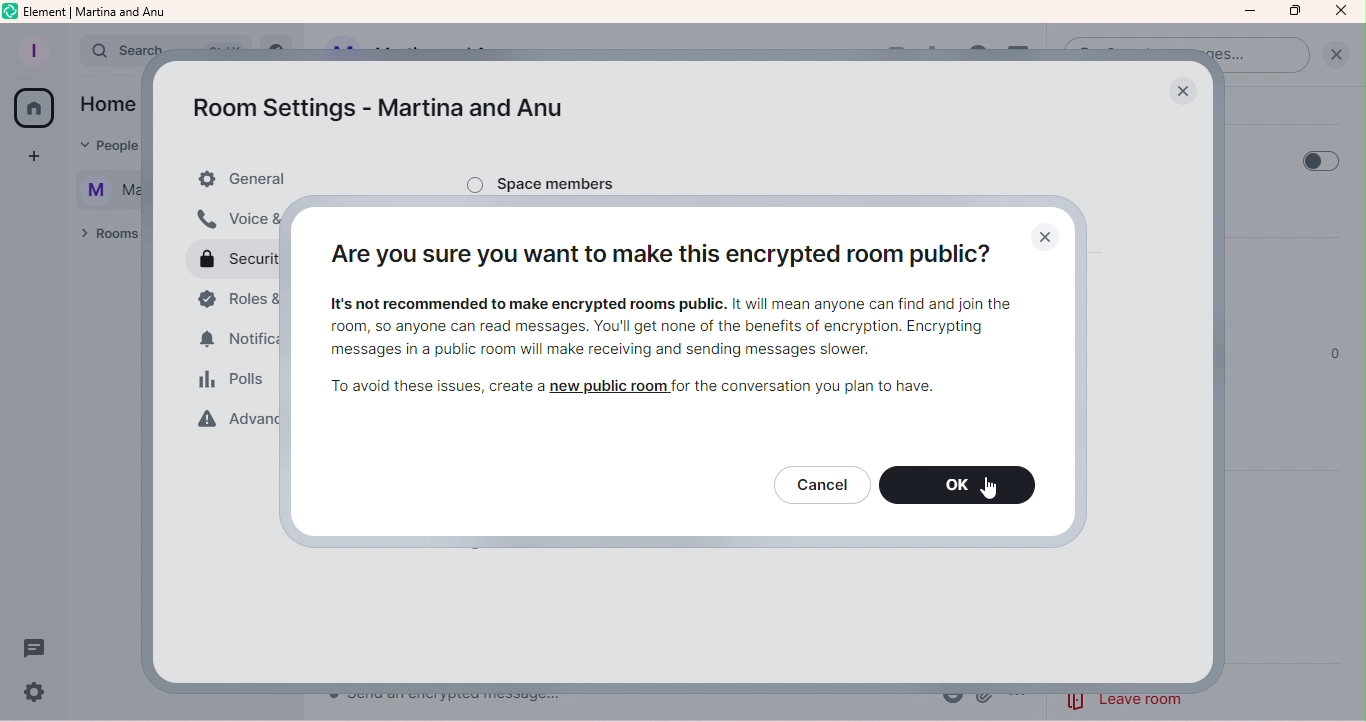 The width and height of the screenshot is (1366, 722). I want to click on Toggle, so click(1313, 161).